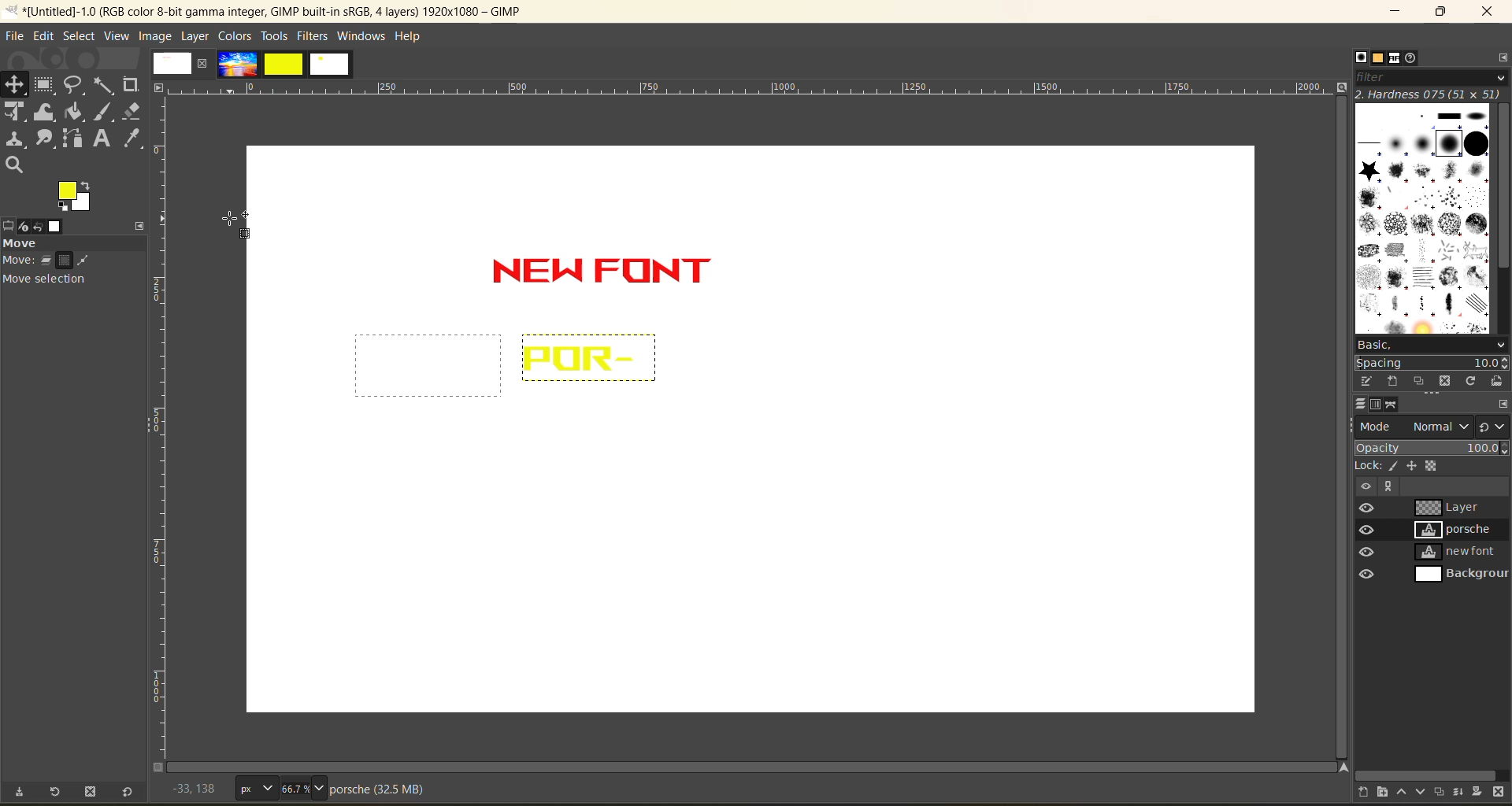 Image resolution: width=1512 pixels, height=806 pixels. Describe the element at coordinates (1374, 58) in the screenshot. I see `patterns` at that location.